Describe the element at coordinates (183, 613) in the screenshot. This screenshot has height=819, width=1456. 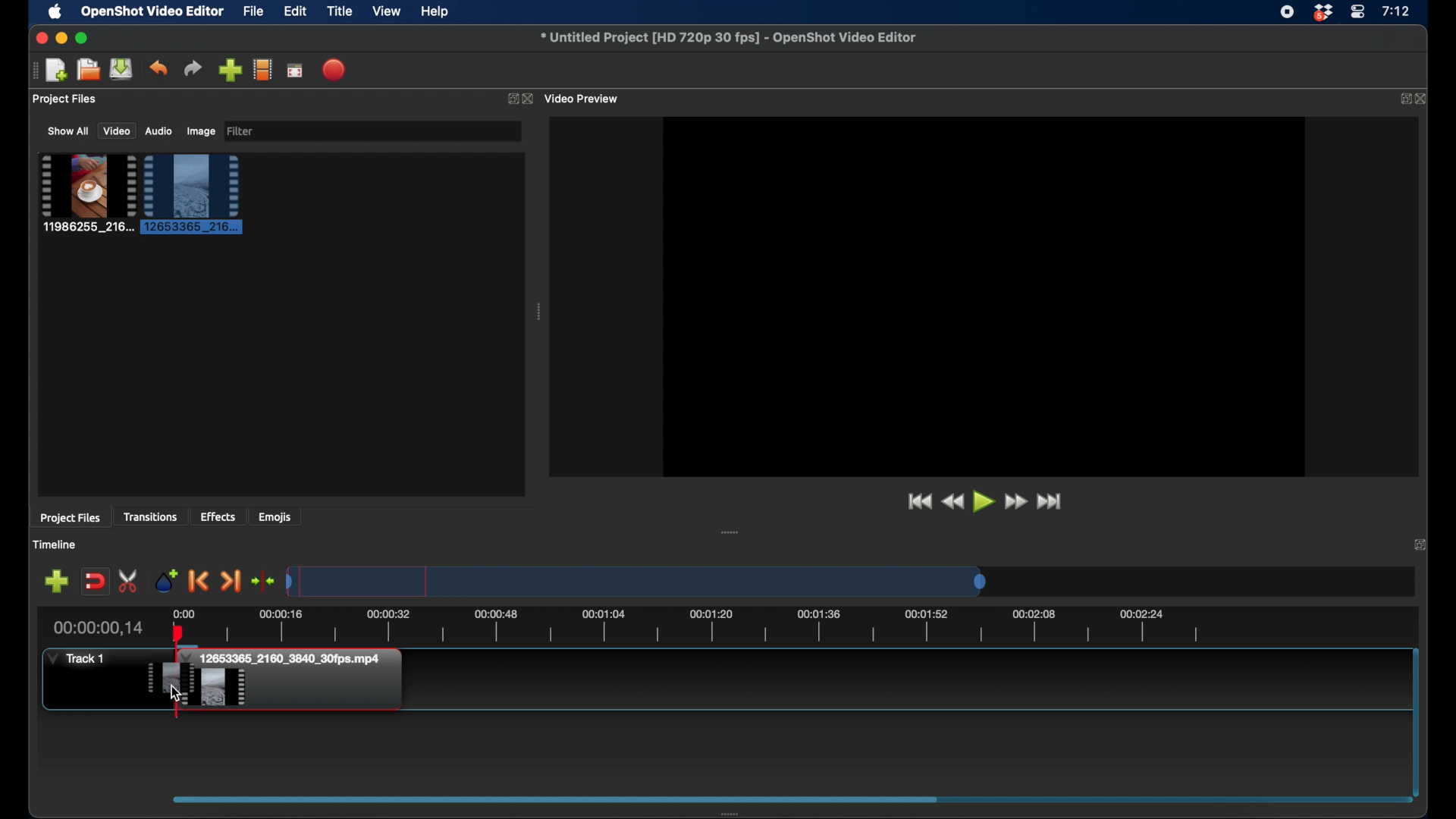
I see `0.00` at that location.